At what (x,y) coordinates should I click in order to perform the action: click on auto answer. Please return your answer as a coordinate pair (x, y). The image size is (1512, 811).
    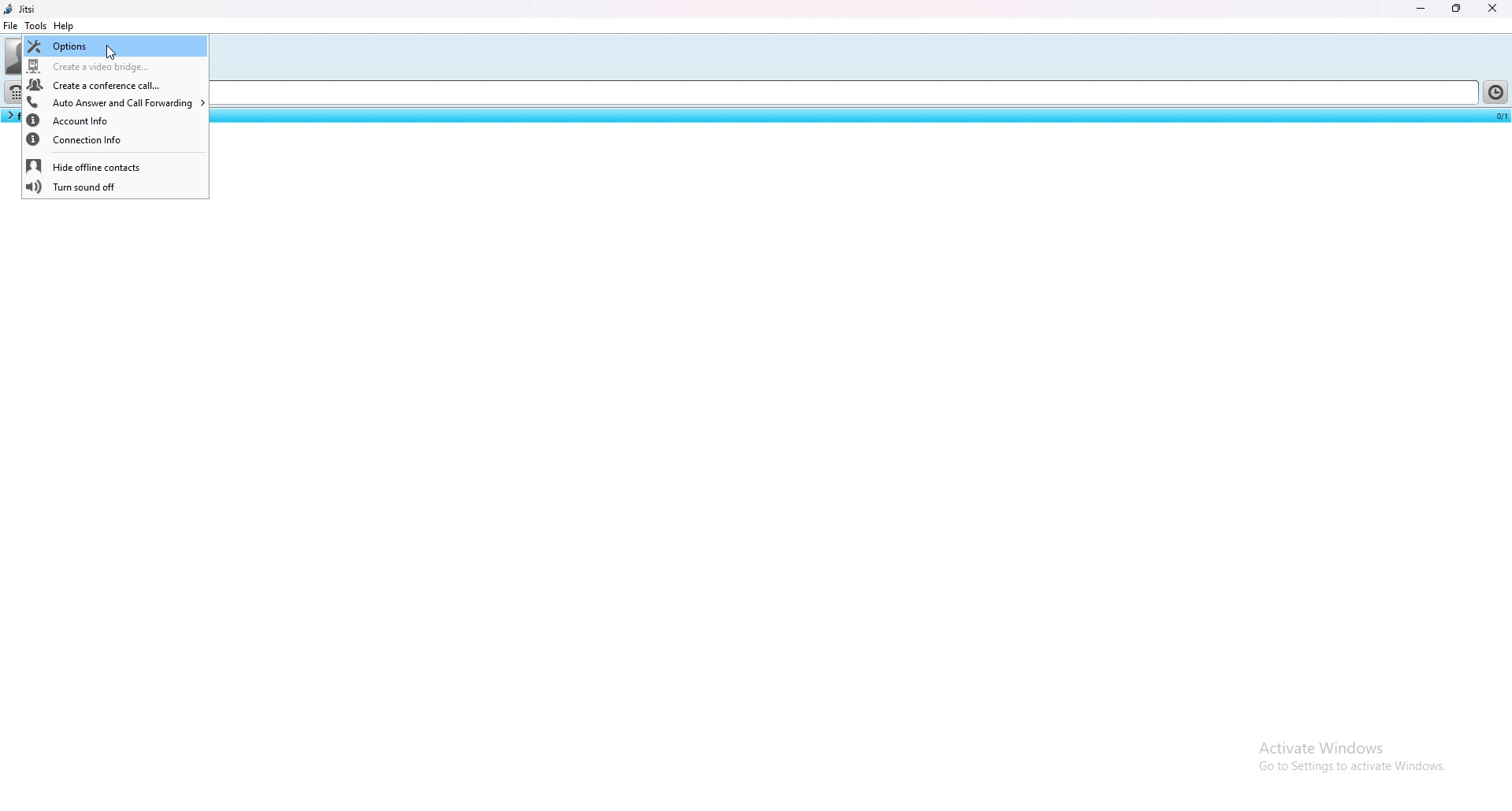
    Looking at the image, I should click on (115, 102).